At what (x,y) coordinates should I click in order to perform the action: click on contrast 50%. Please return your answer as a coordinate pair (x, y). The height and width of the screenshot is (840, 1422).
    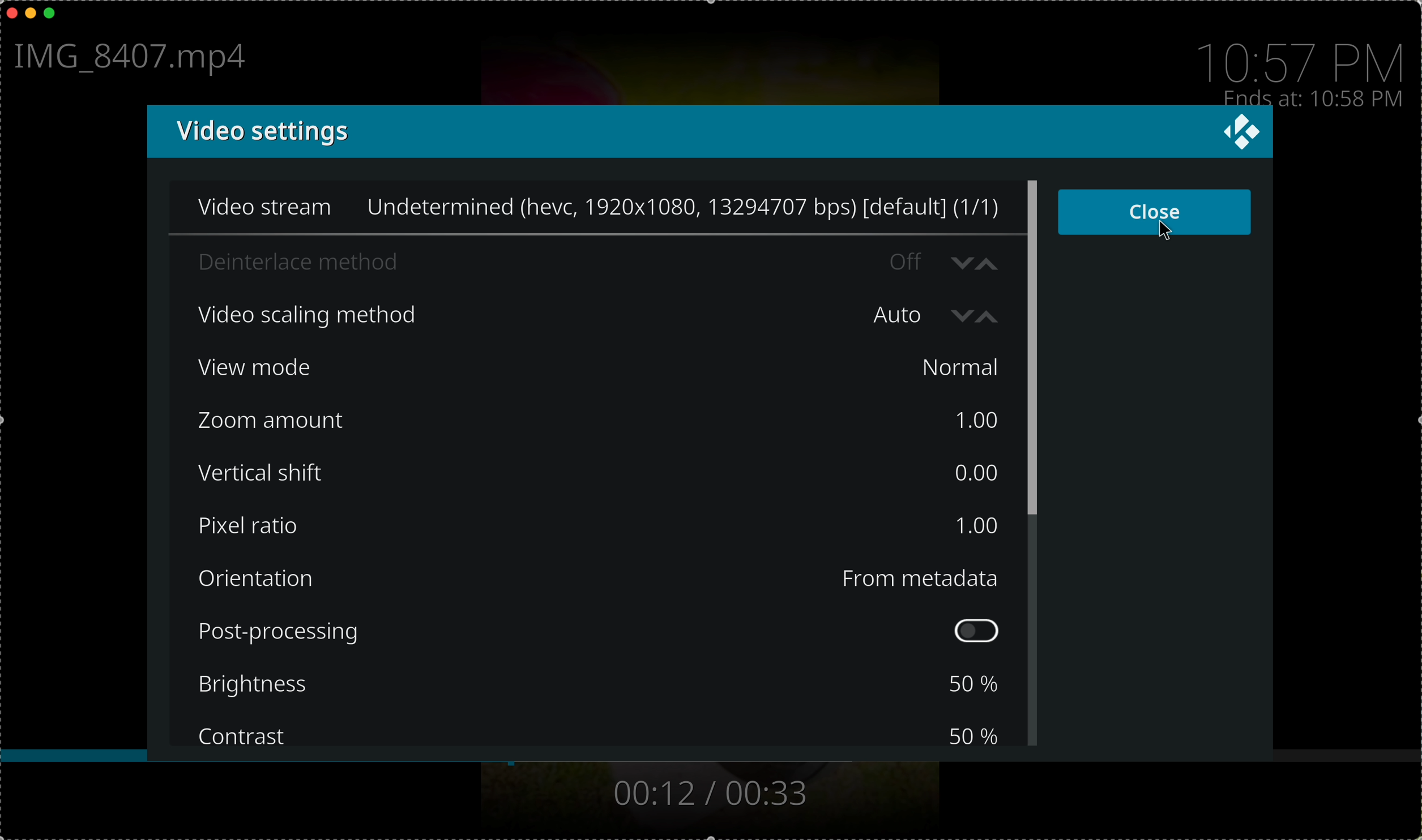
    Looking at the image, I should click on (598, 732).